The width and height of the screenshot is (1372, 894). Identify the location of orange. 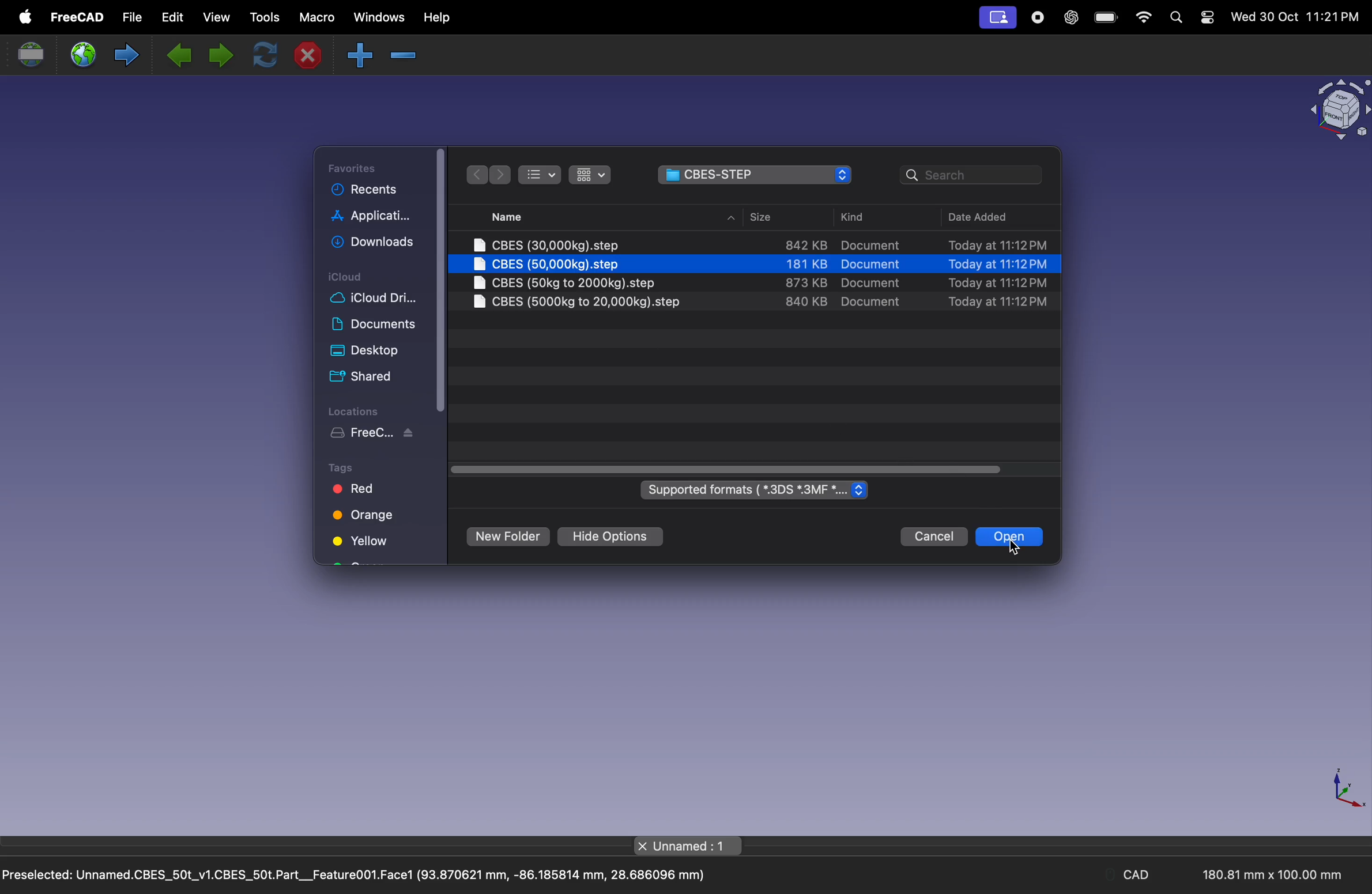
(367, 520).